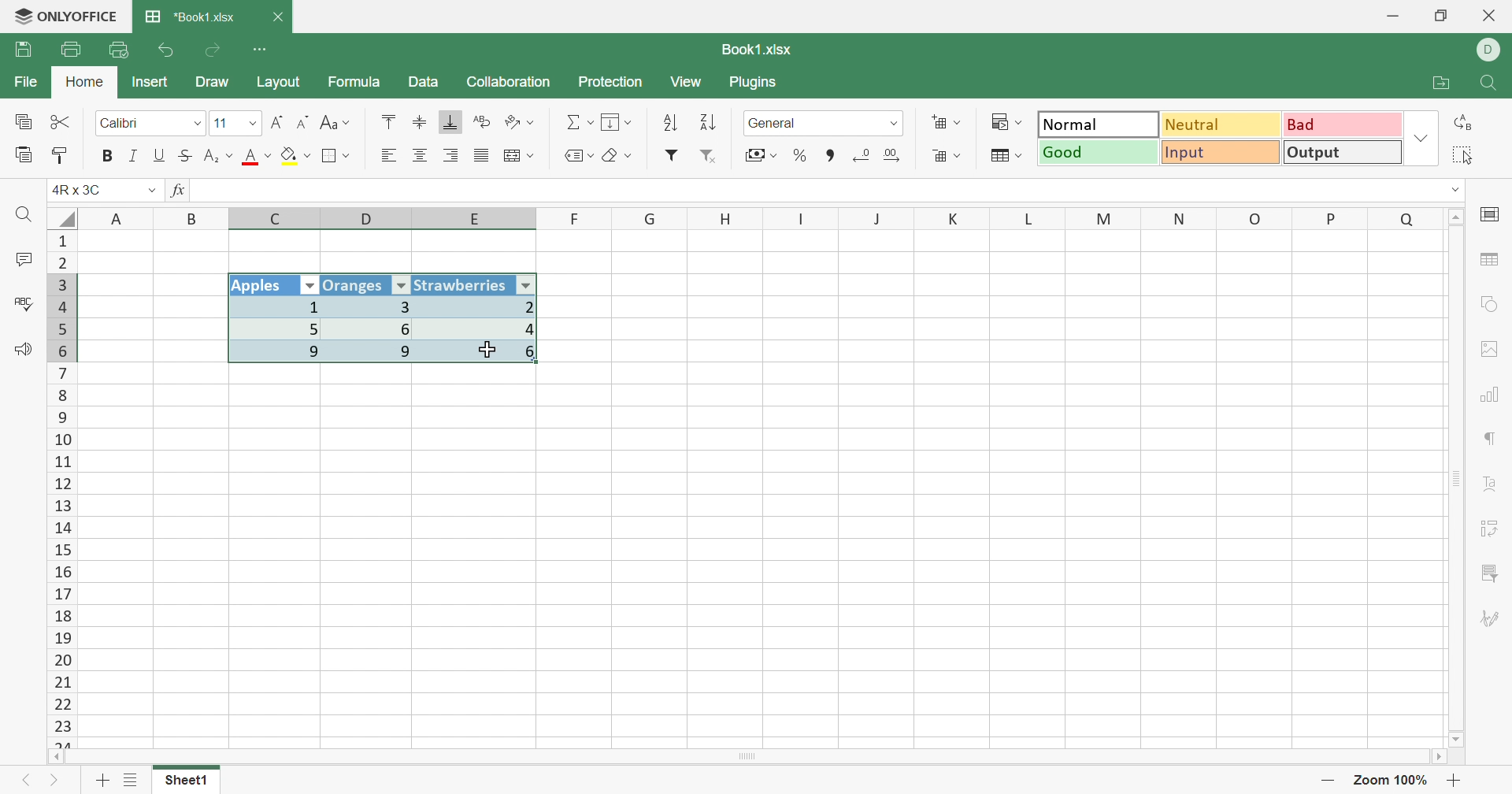  What do you see at coordinates (25, 351) in the screenshot?
I see `Feedback & Support` at bounding box center [25, 351].